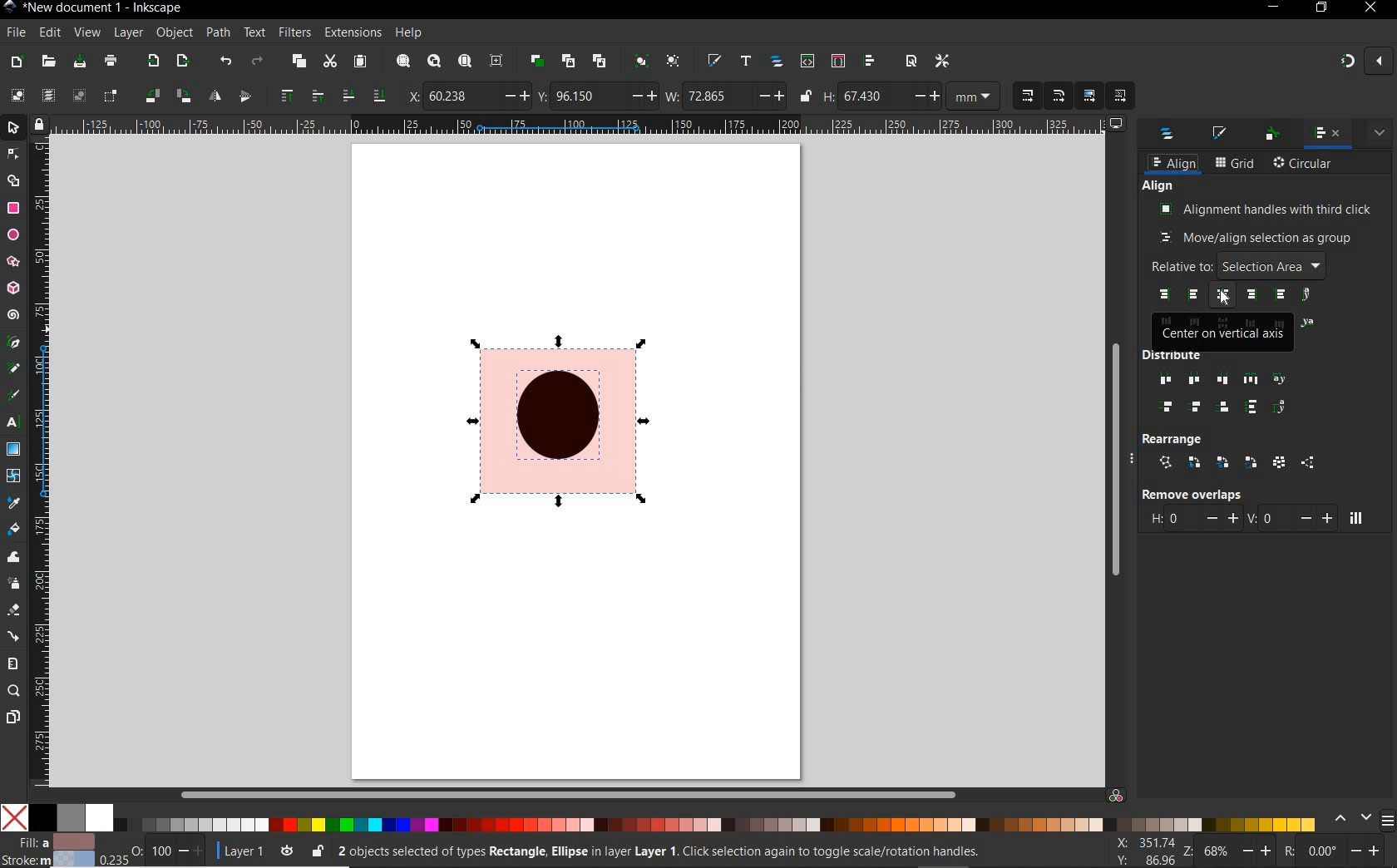 Image resolution: width=1397 pixels, height=868 pixels. What do you see at coordinates (294, 33) in the screenshot?
I see `filters` at bounding box center [294, 33].